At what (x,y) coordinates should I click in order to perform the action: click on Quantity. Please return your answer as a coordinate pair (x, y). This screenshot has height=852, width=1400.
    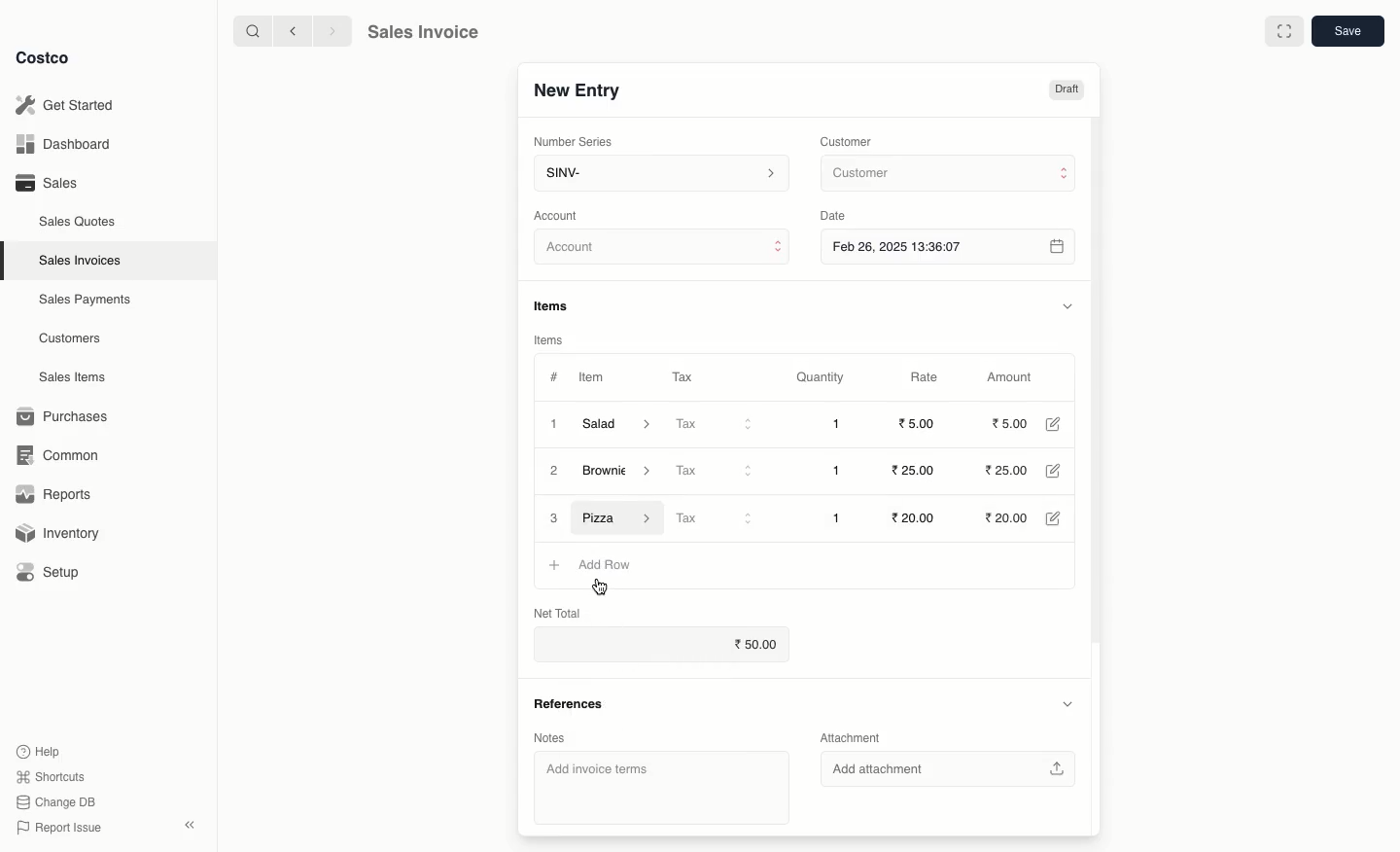
    Looking at the image, I should click on (819, 378).